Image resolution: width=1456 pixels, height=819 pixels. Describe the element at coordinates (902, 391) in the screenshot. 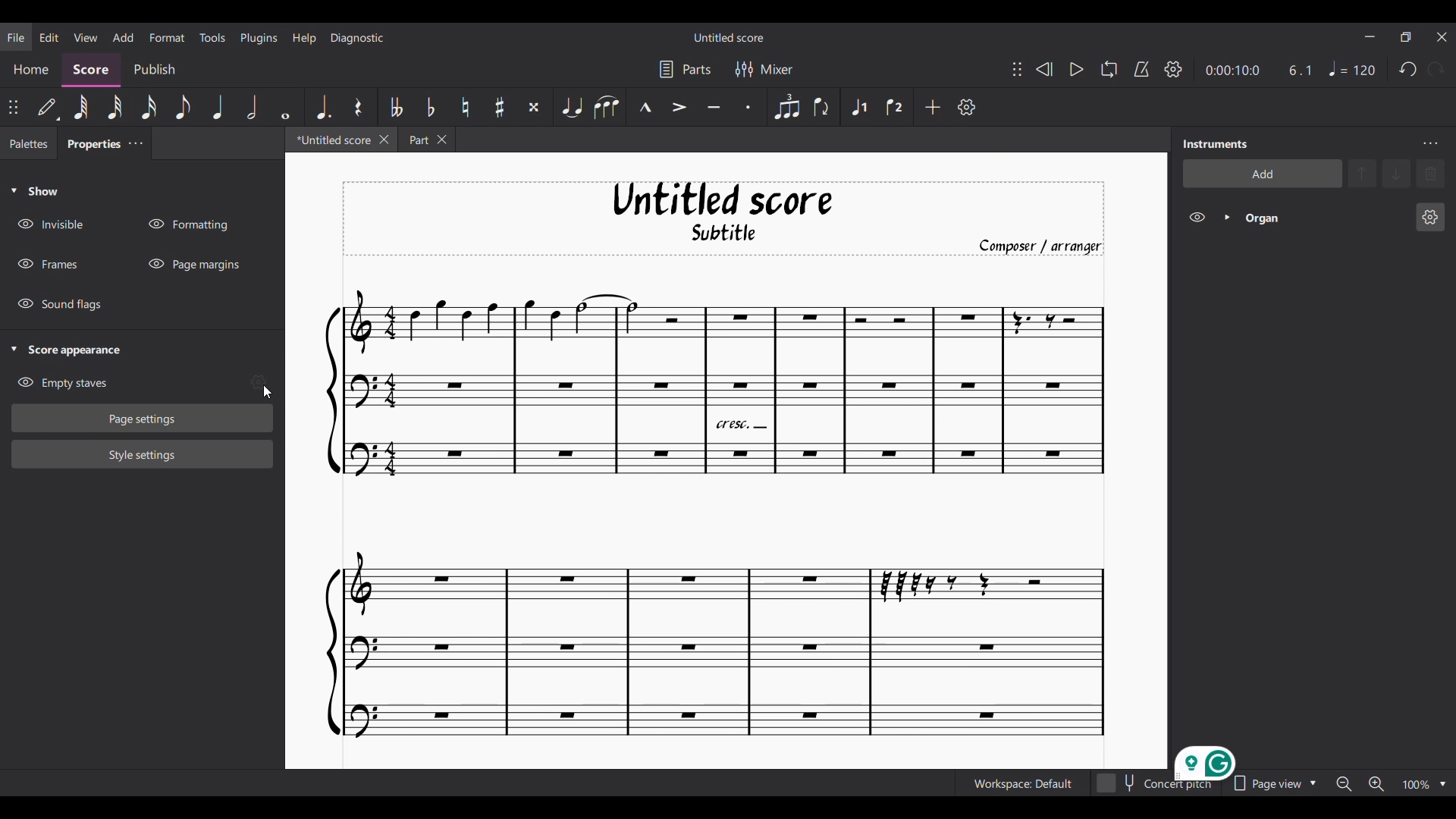

I see `Measure selected by cursor` at that location.